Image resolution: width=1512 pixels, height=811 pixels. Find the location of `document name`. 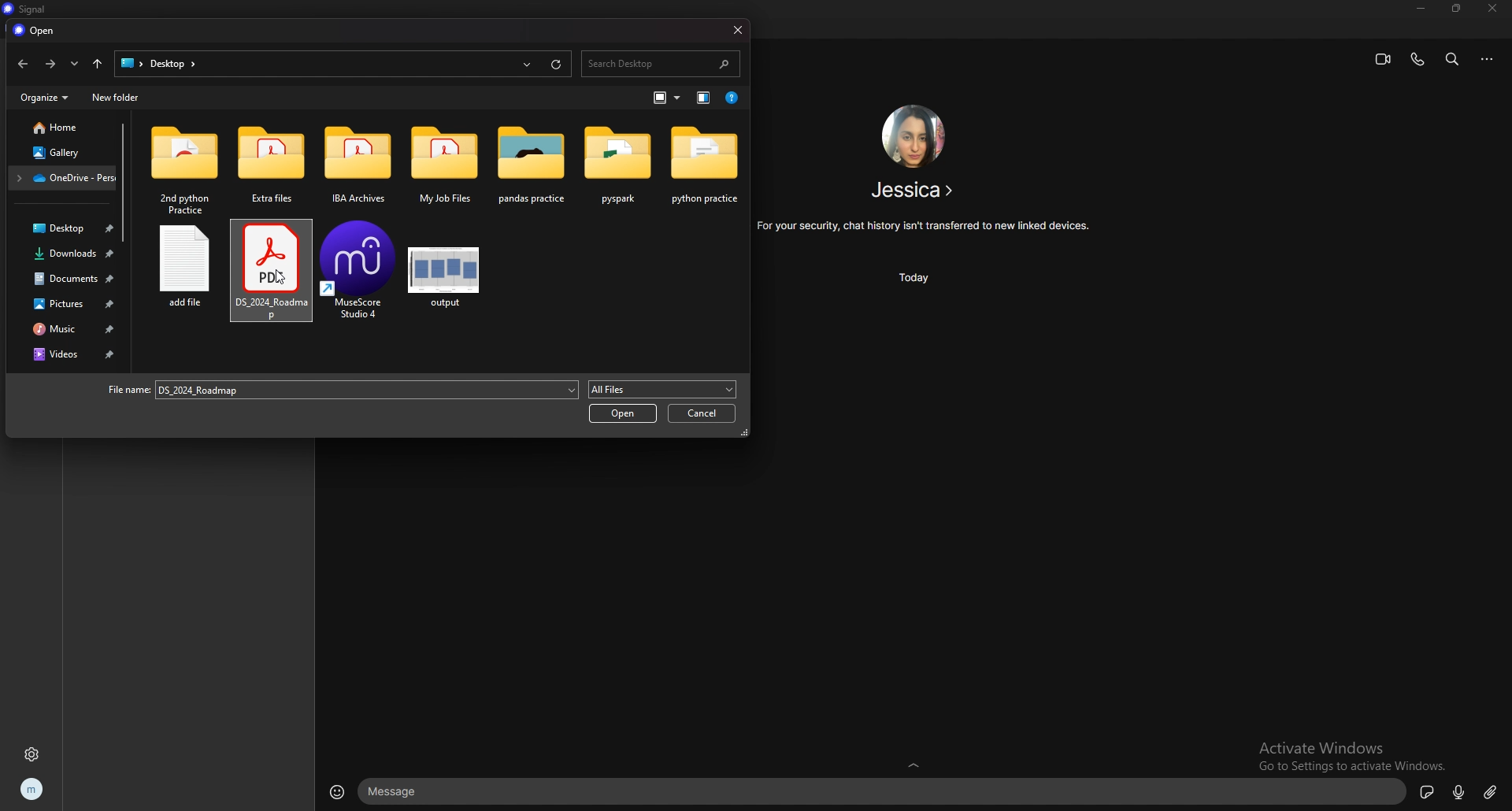

document name is located at coordinates (337, 390).